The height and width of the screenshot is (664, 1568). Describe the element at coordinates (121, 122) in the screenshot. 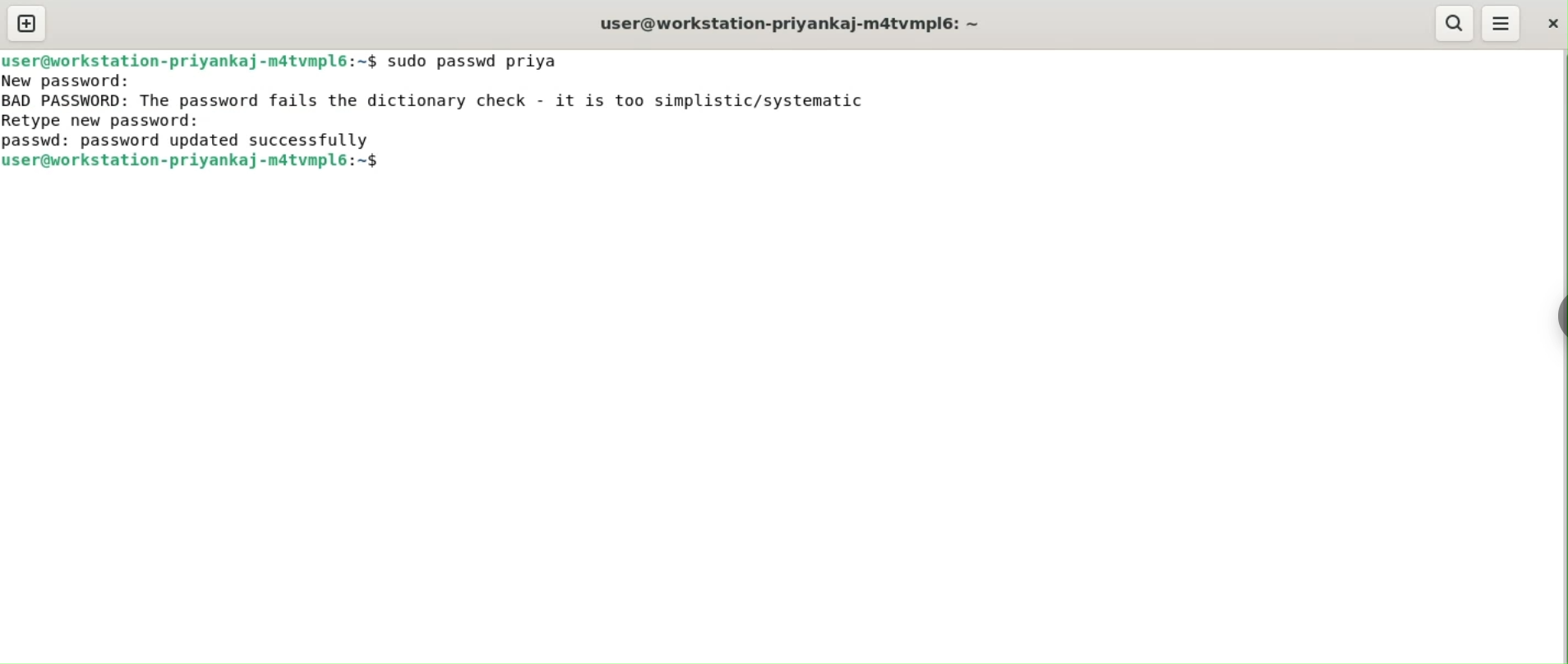

I see `retype new password` at that location.